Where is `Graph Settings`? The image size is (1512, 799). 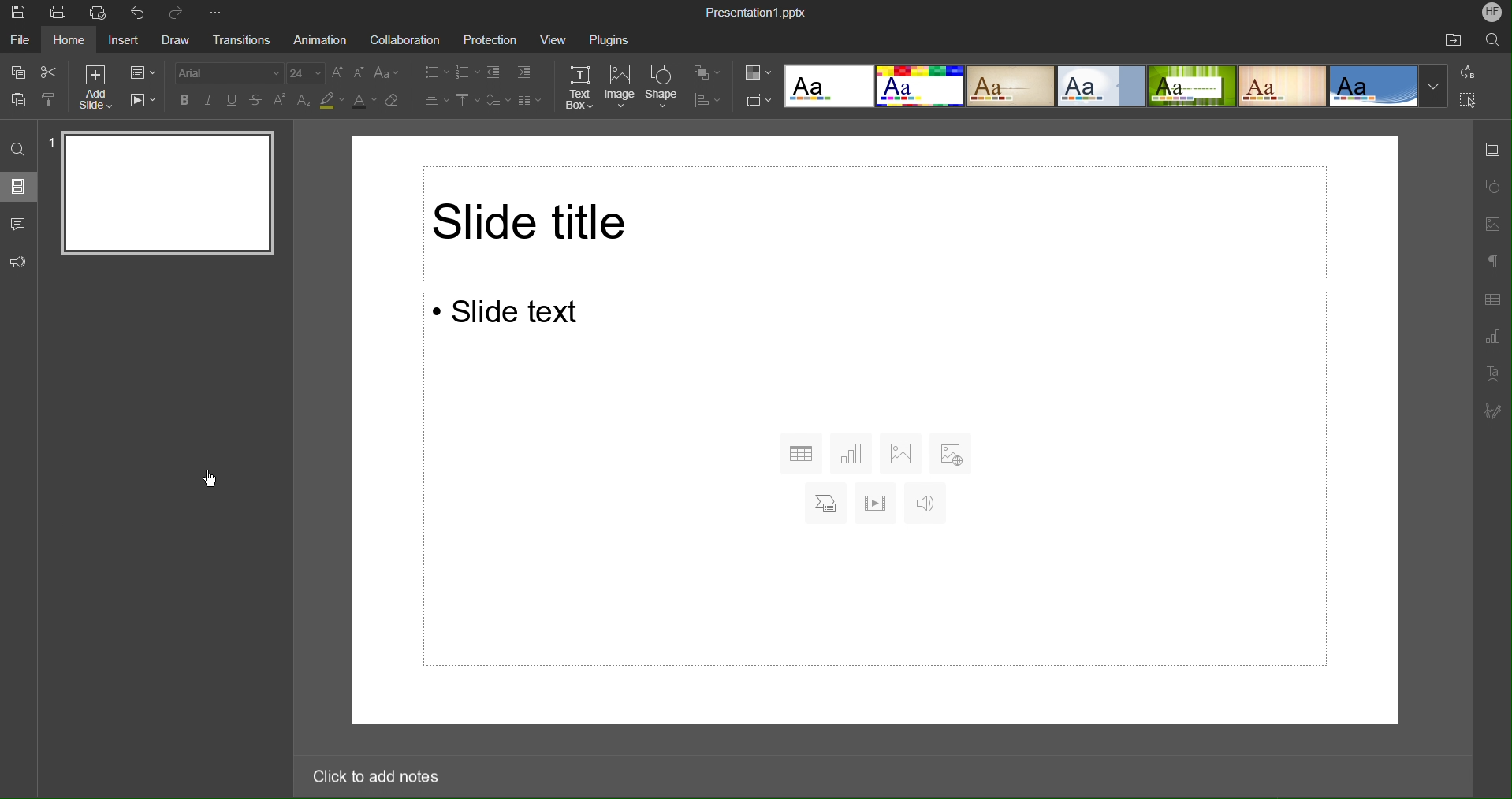
Graph Settings is located at coordinates (1492, 335).